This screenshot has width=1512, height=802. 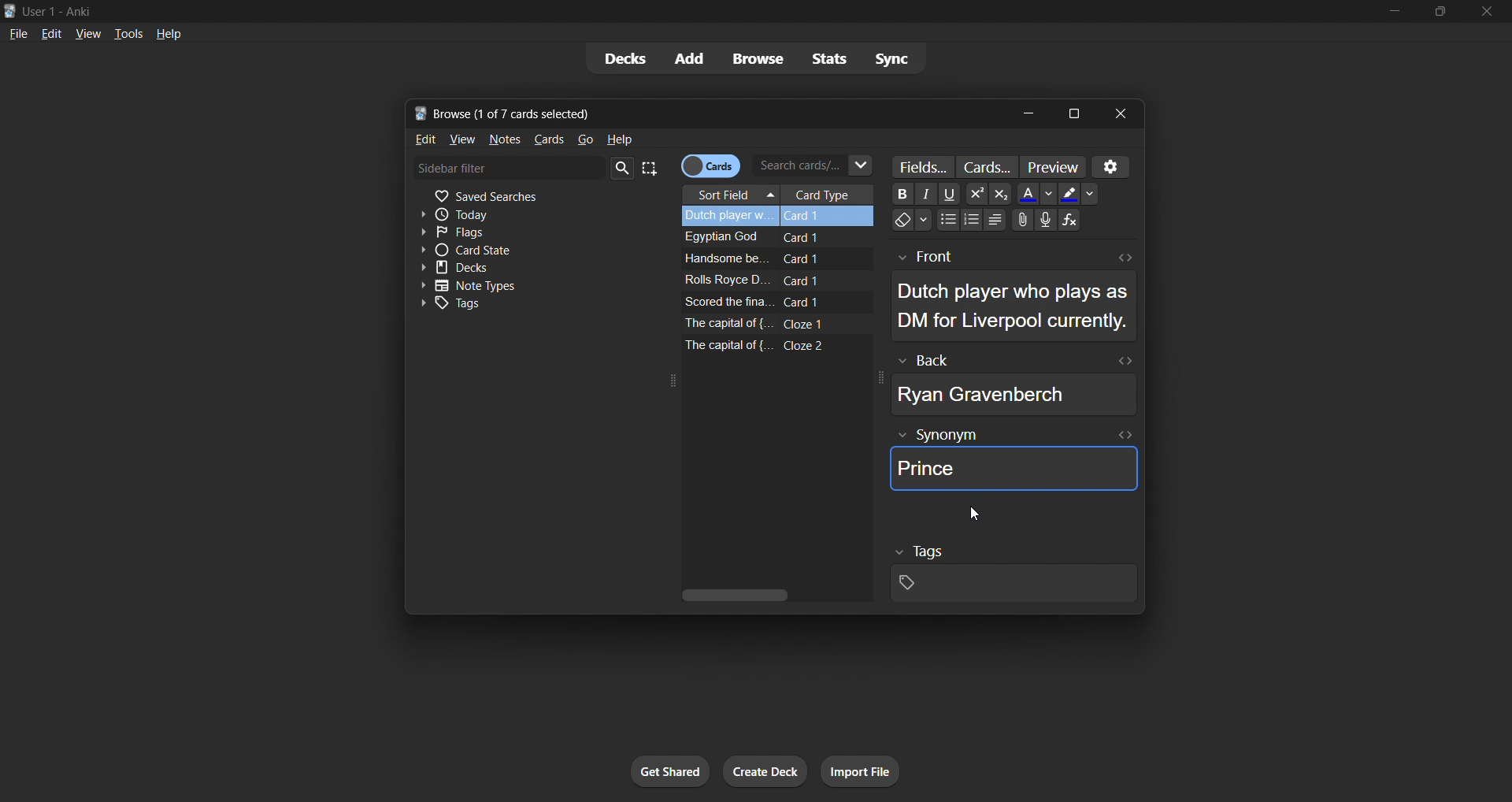 I want to click on decks, so click(x=624, y=58).